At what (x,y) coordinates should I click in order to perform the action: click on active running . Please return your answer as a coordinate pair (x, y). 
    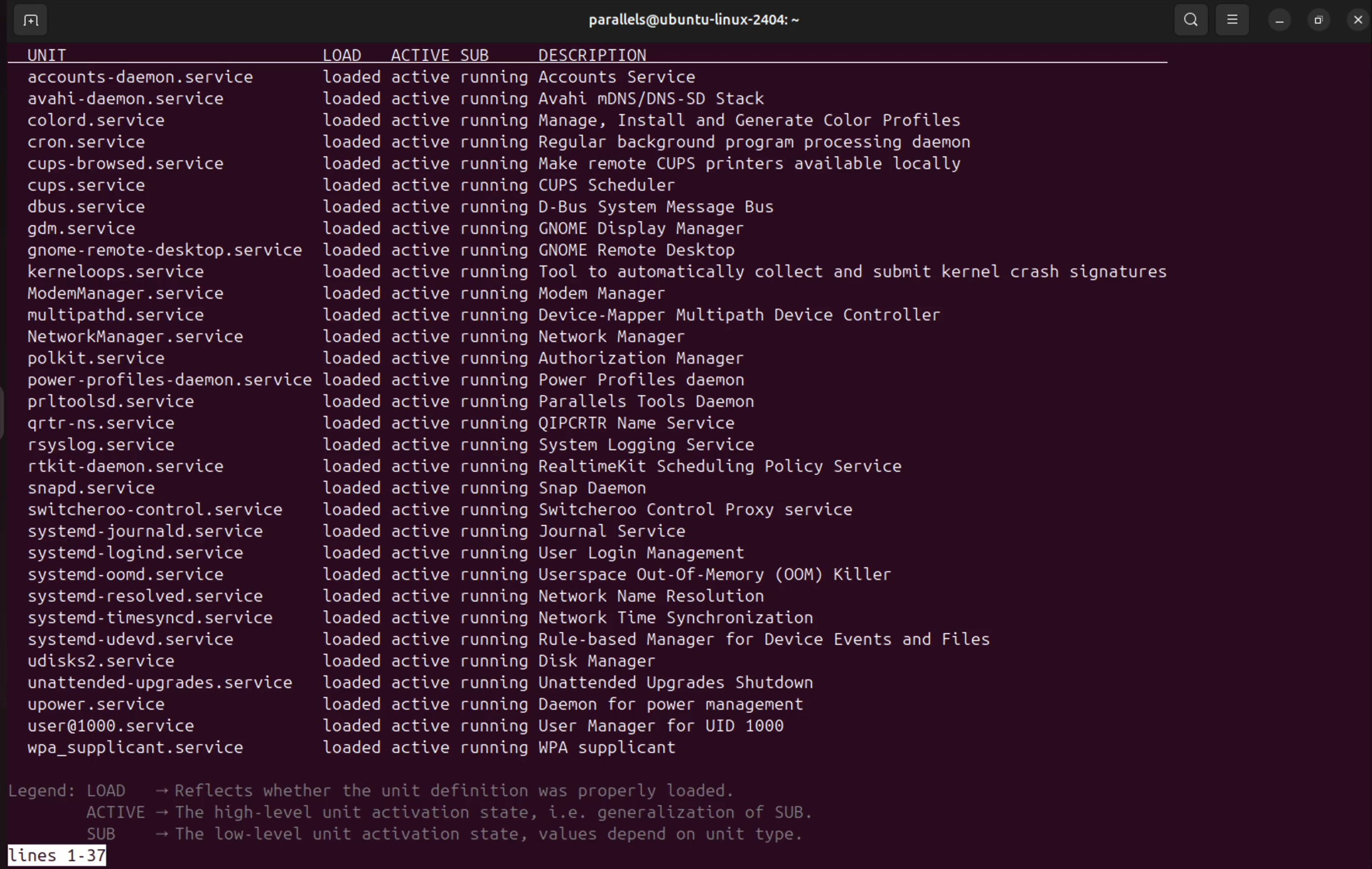
    Looking at the image, I should click on (638, 514).